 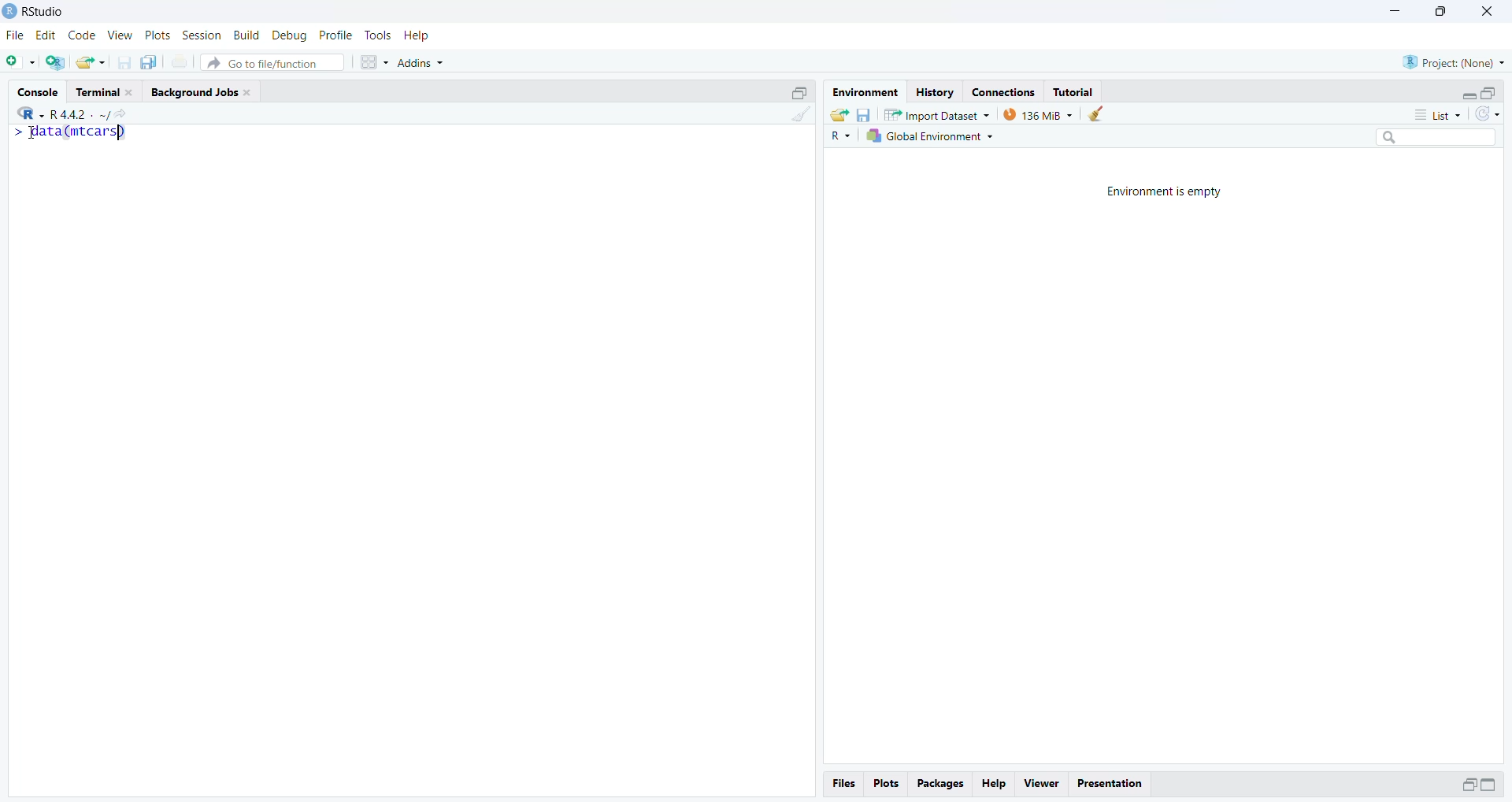 What do you see at coordinates (80, 133) in the screenshot?
I see `- data(mtcars)` at bounding box center [80, 133].